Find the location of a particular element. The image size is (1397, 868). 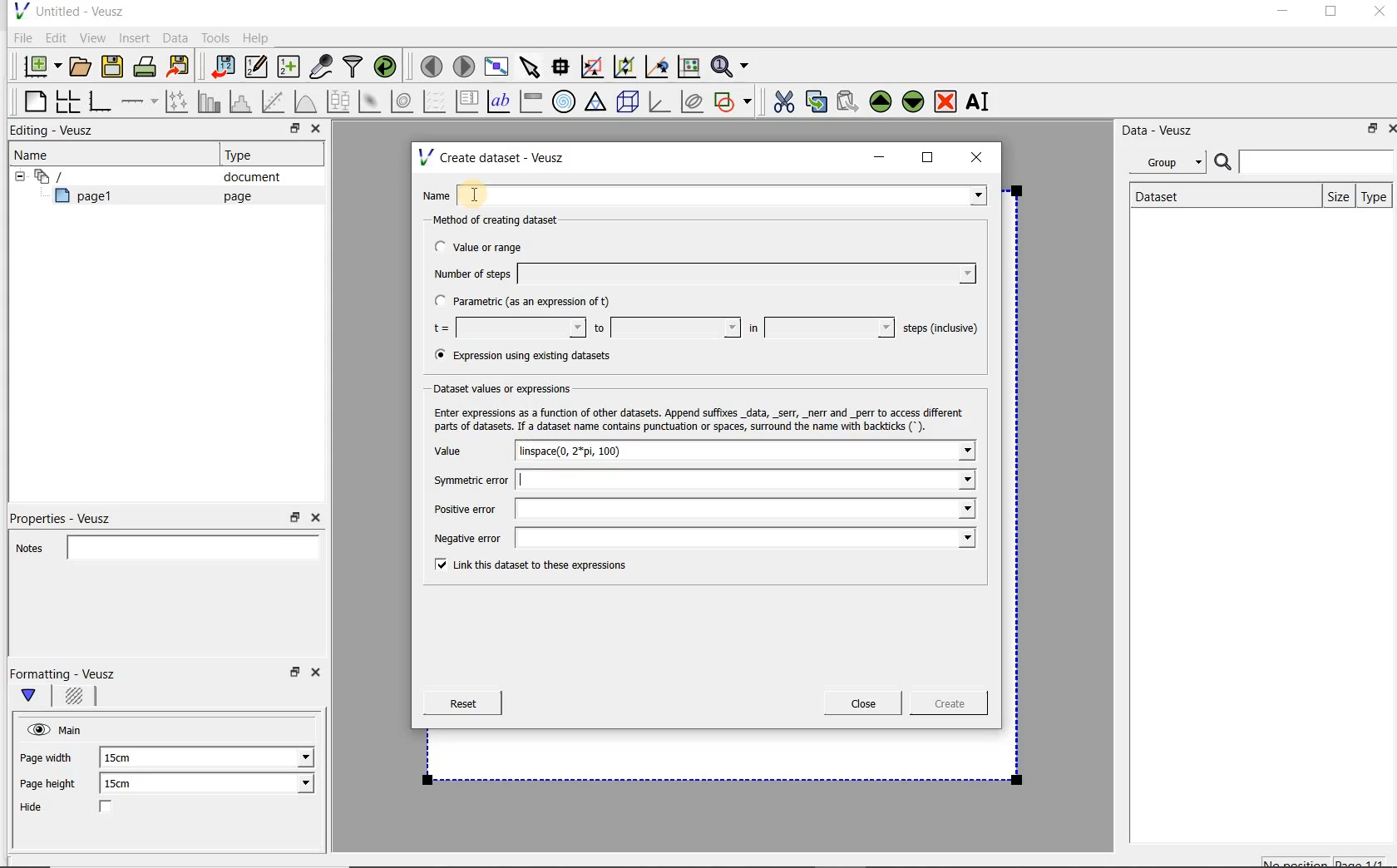

reload linked datasets is located at coordinates (388, 67).